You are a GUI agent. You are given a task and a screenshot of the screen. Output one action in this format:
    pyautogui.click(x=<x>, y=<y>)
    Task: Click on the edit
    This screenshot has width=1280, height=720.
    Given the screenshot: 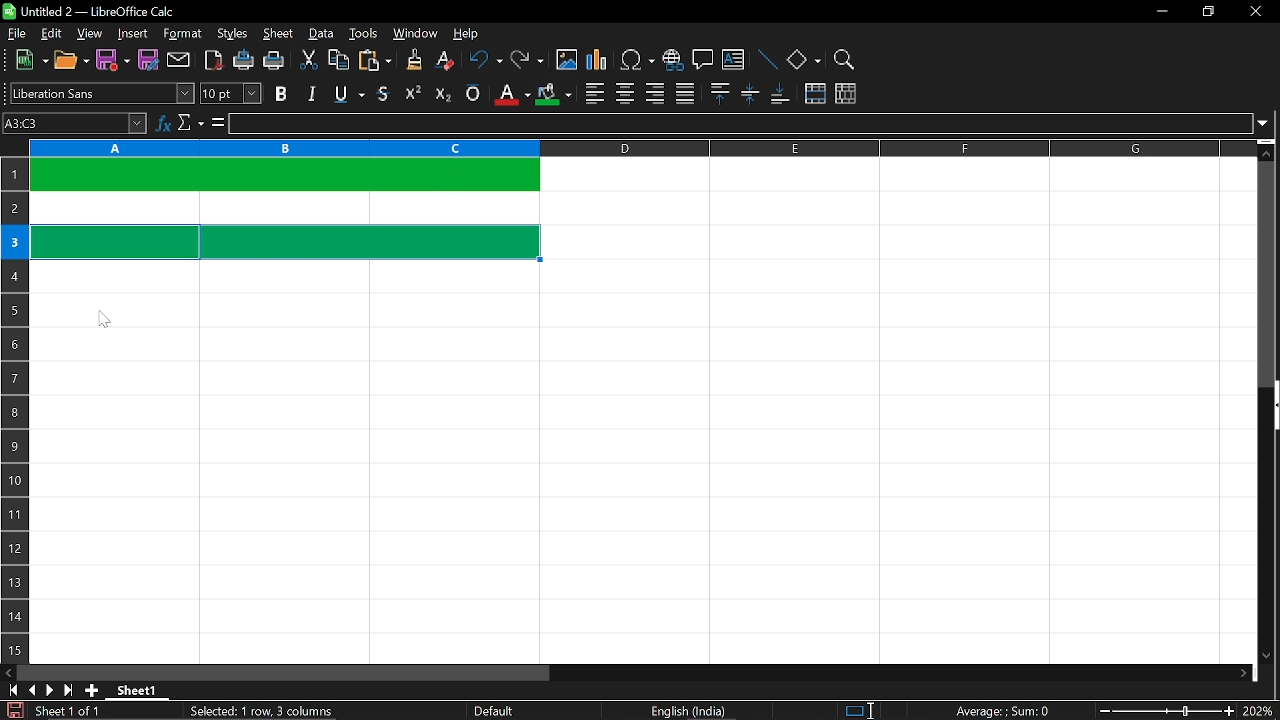 What is the action you would take?
    pyautogui.click(x=48, y=34)
    